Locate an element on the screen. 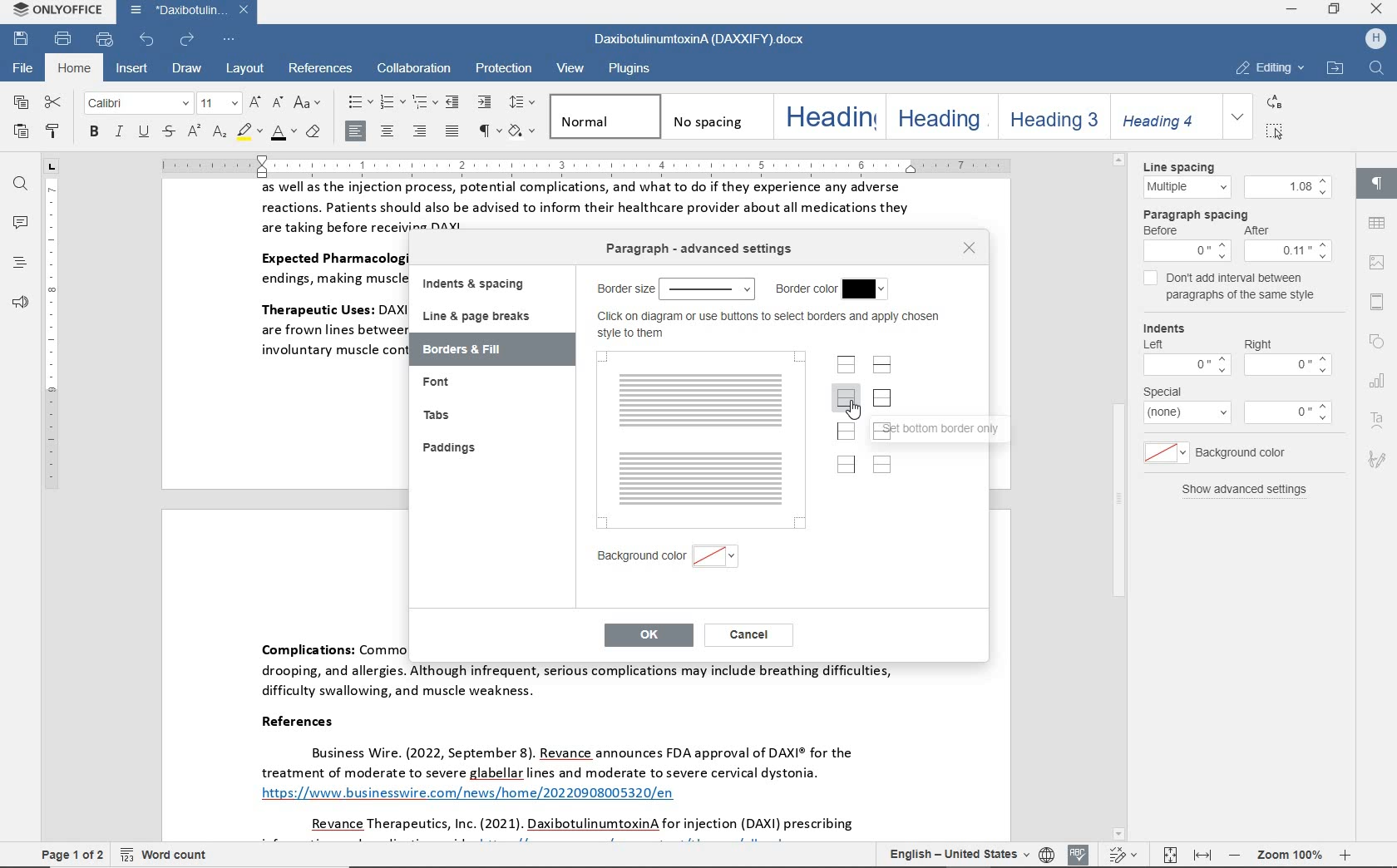 This screenshot has width=1397, height=868. normal is located at coordinates (603, 116).